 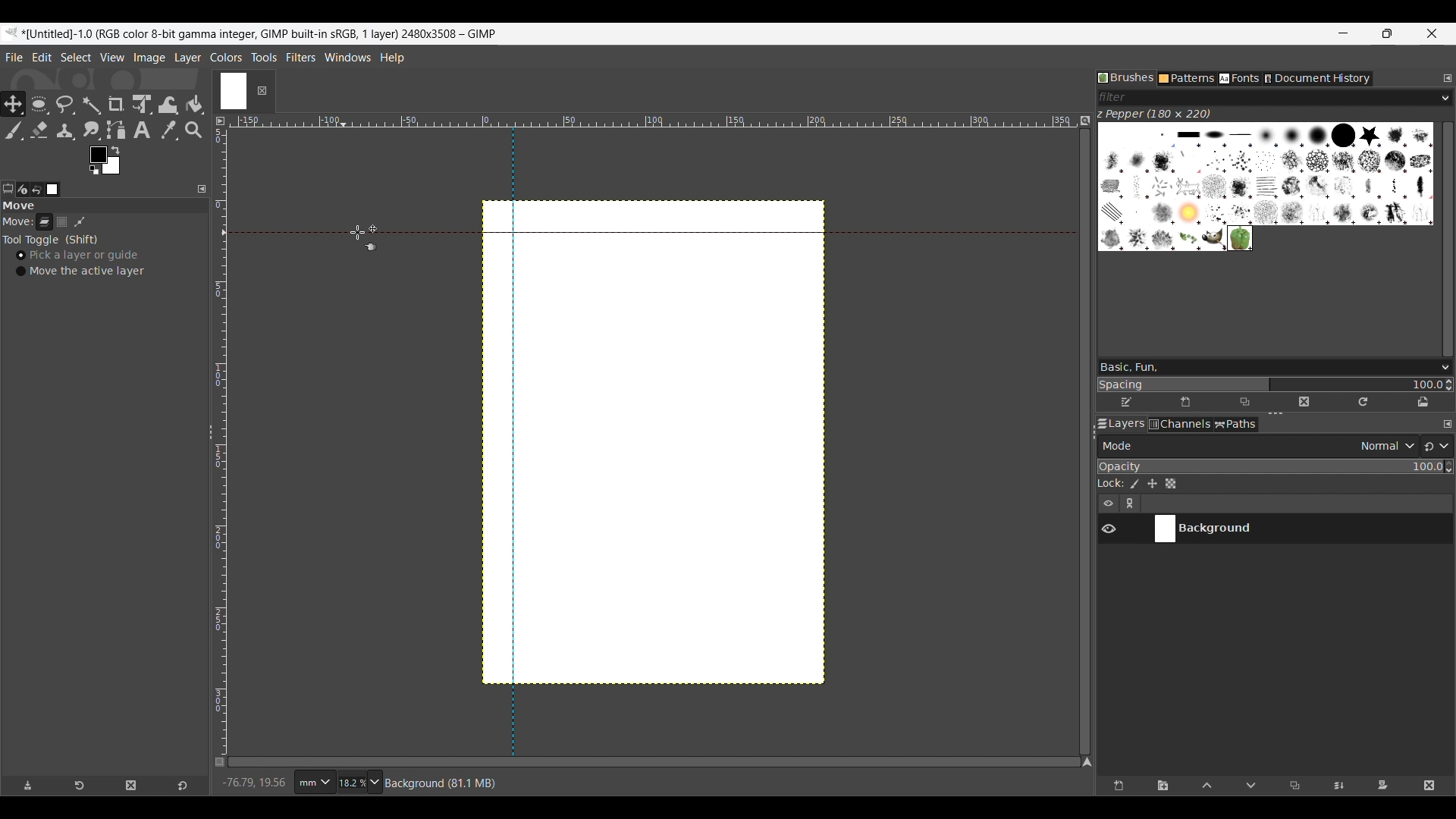 What do you see at coordinates (141, 104) in the screenshot?
I see `Unified transform tool` at bounding box center [141, 104].